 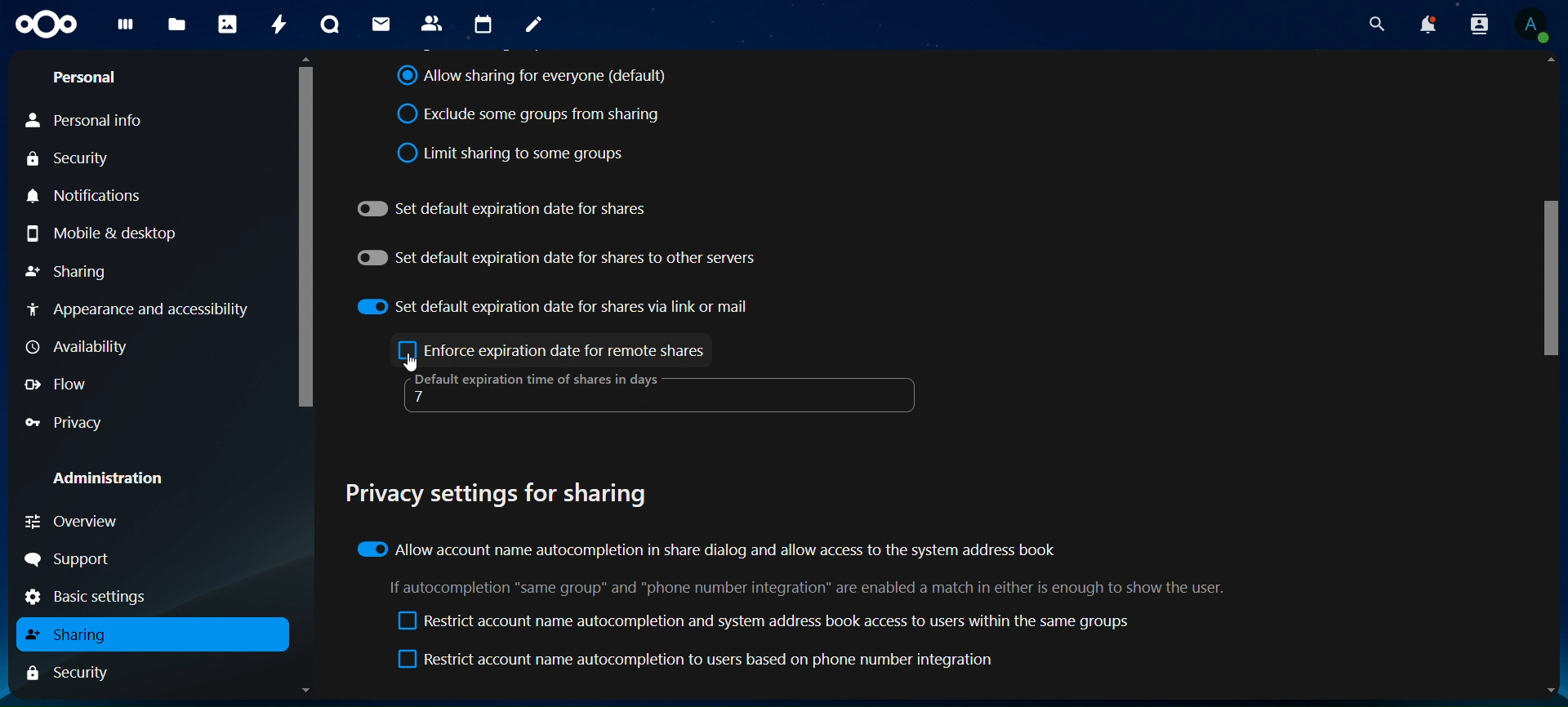 What do you see at coordinates (1551, 376) in the screenshot?
I see `Scrollbar` at bounding box center [1551, 376].